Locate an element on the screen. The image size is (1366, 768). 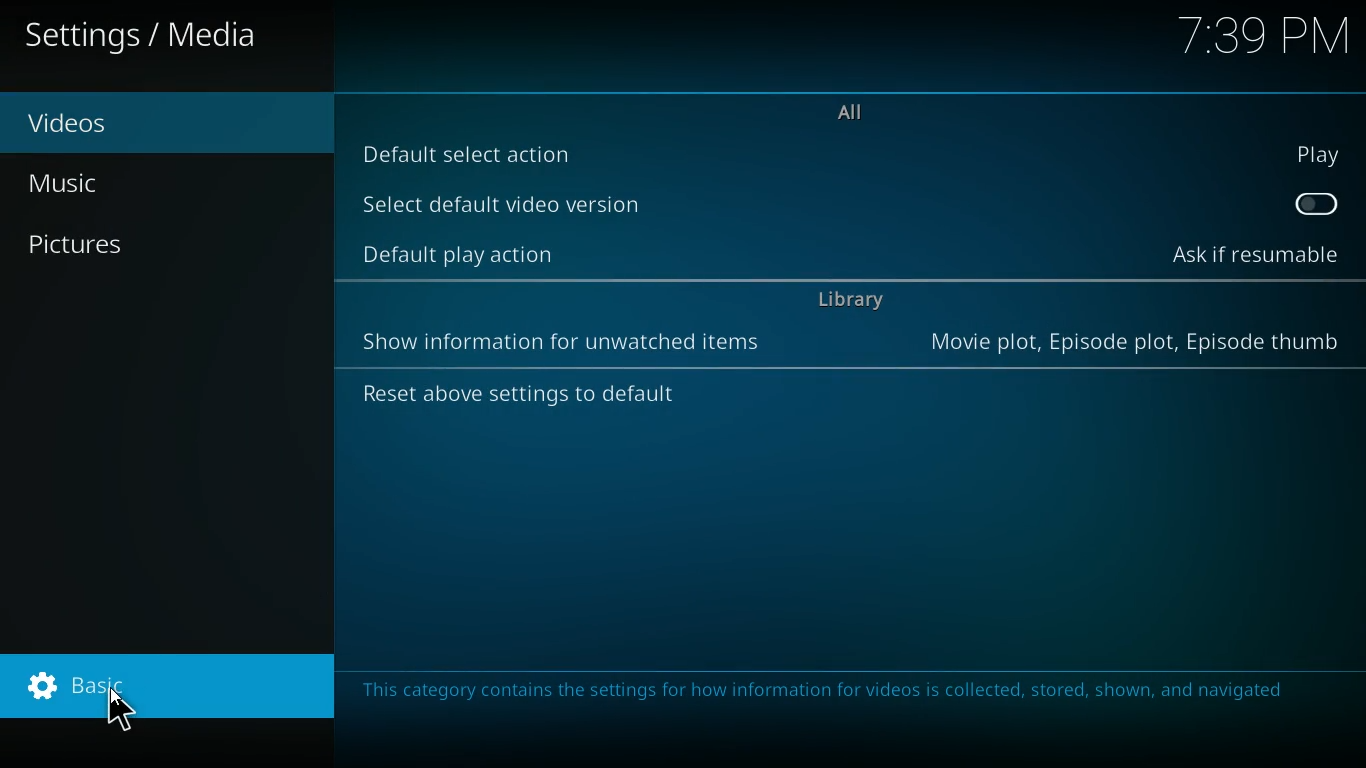
cursor is located at coordinates (127, 712).